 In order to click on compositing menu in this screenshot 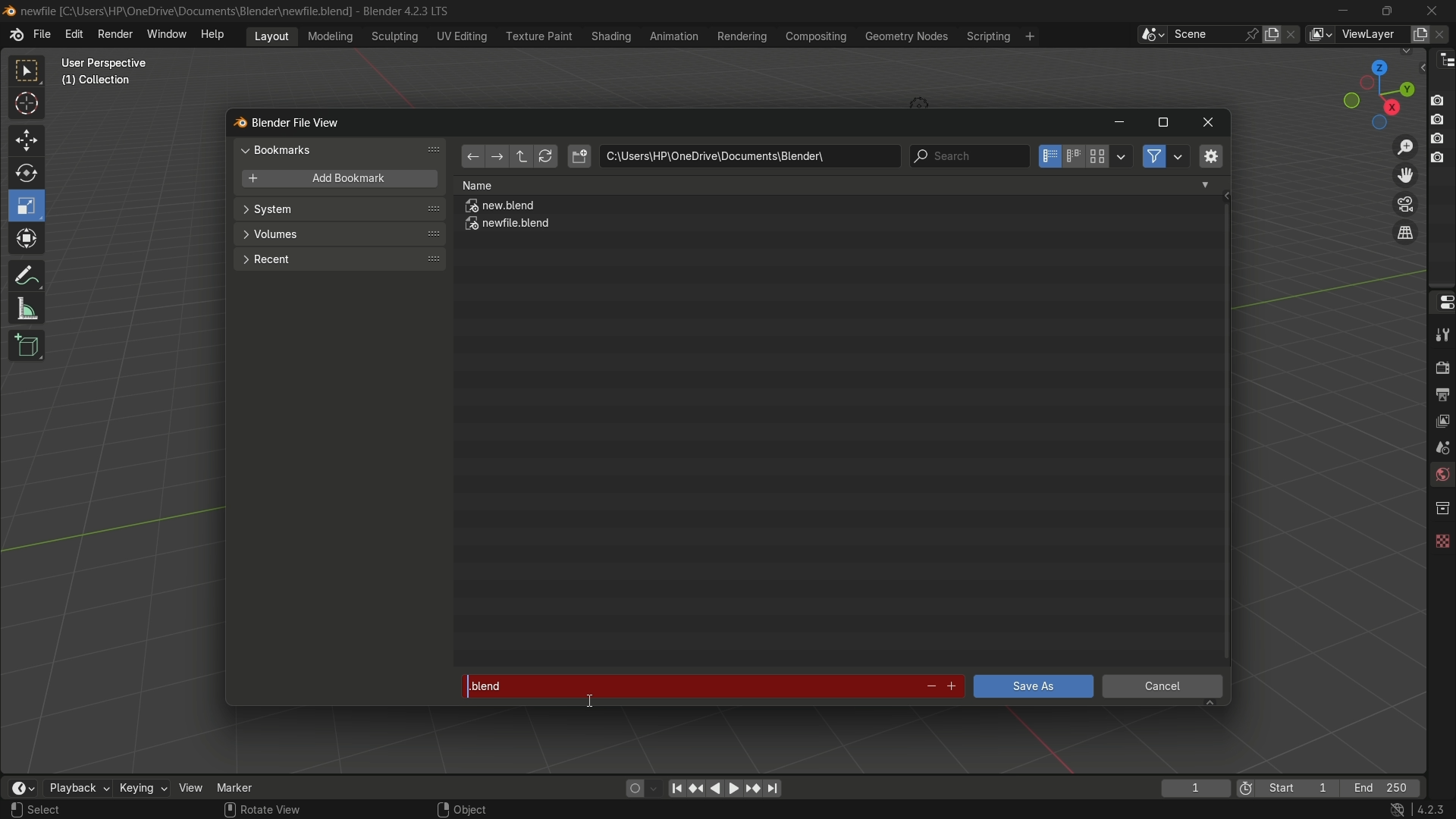, I will do `click(817, 36)`.